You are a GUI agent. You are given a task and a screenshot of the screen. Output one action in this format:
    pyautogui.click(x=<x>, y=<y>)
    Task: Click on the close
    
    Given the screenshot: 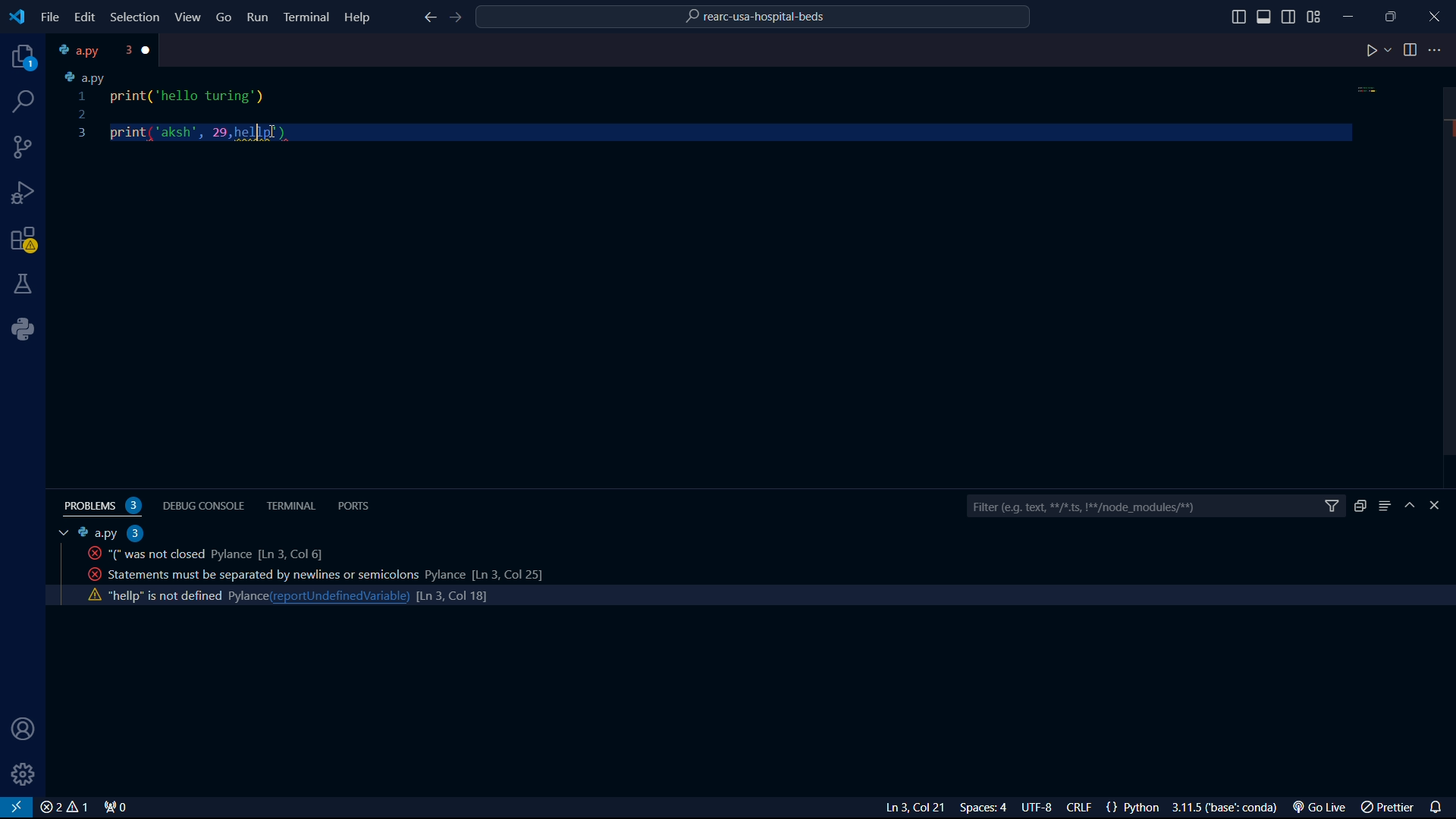 What is the action you would take?
    pyautogui.click(x=149, y=50)
    